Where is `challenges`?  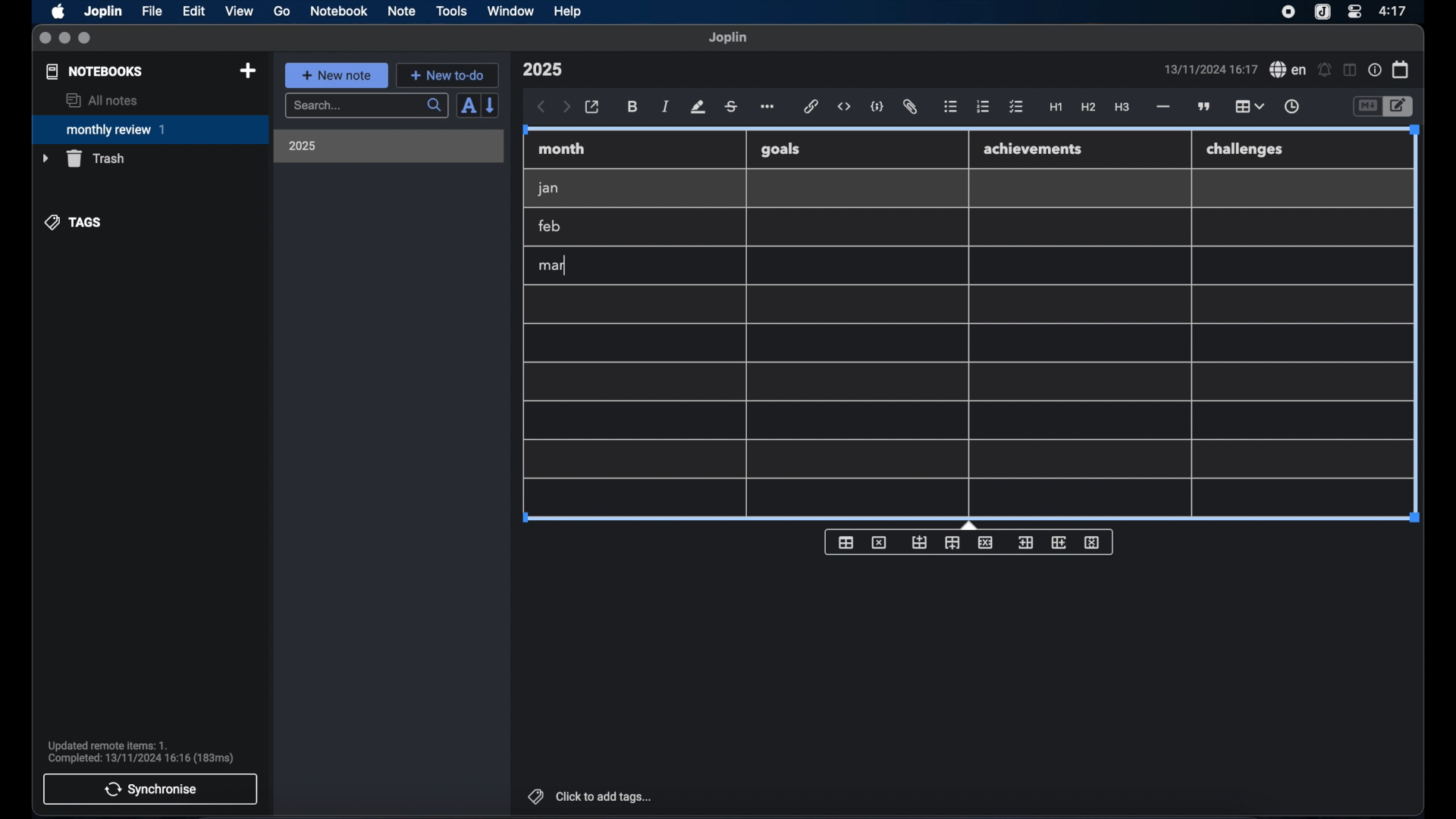 challenges is located at coordinates (1246, 150).